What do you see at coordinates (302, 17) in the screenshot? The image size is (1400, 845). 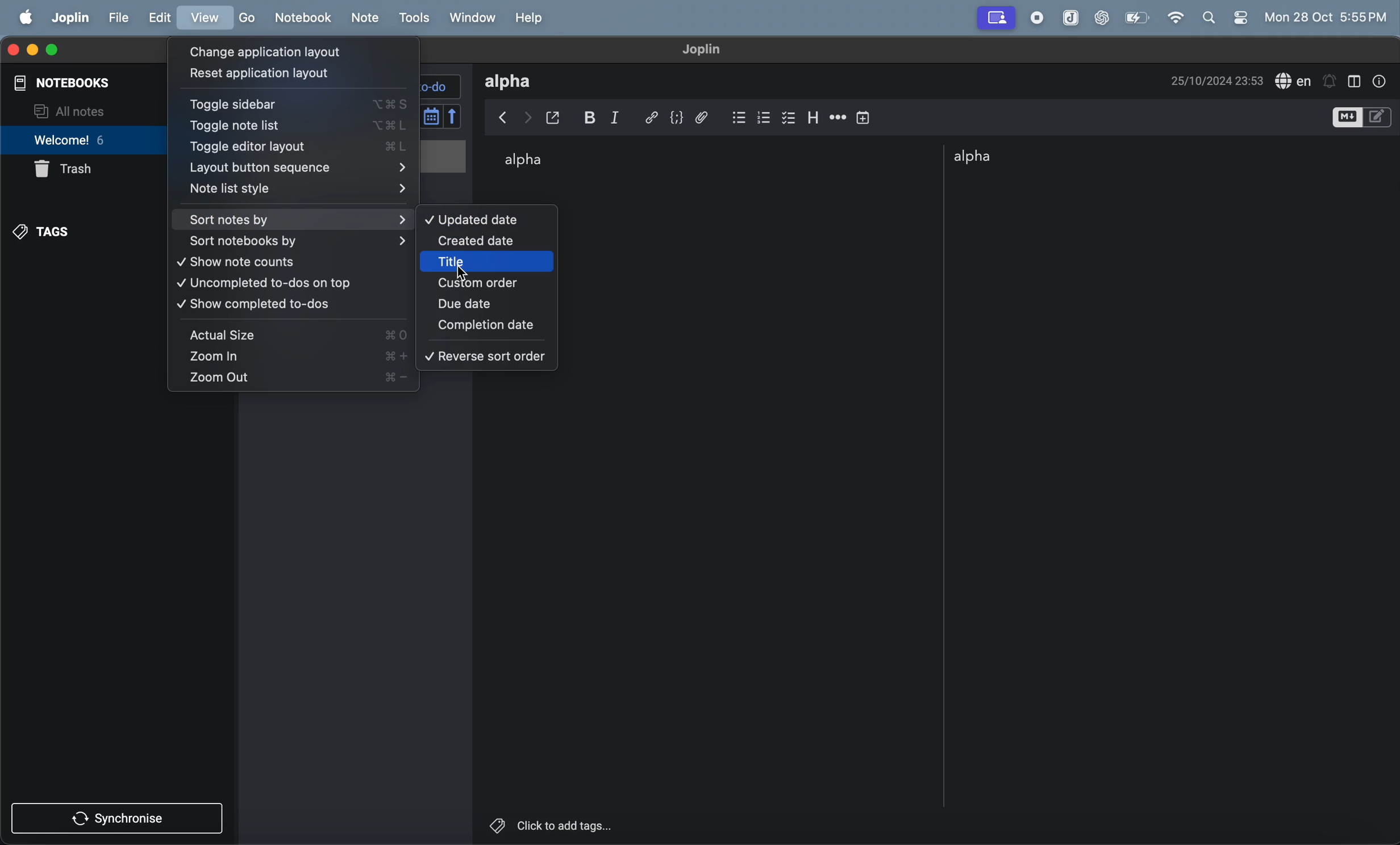 I see `note book` at bounding box center [302, 17].